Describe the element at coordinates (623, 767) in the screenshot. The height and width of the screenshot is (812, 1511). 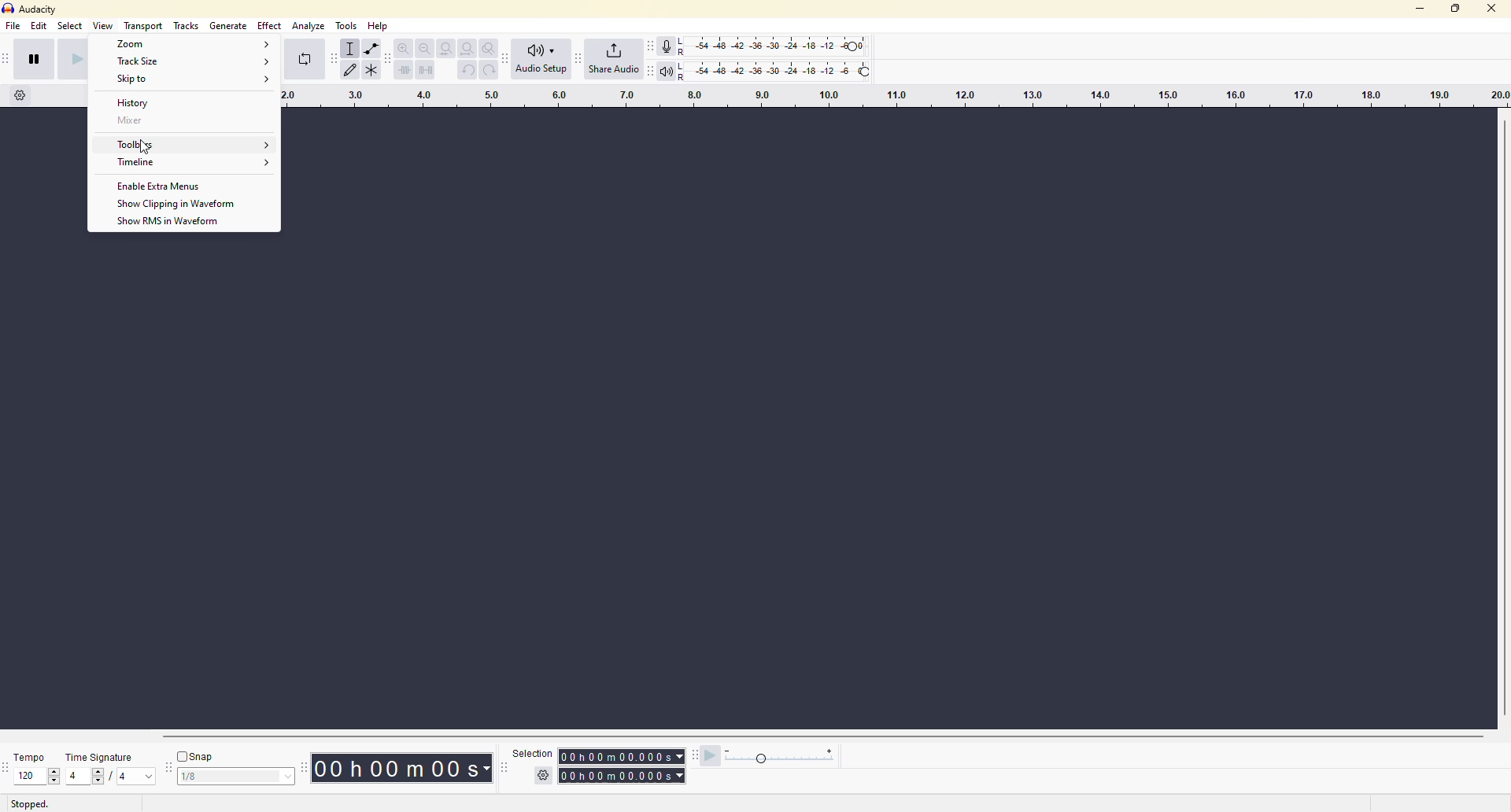
I see `time` at that location.